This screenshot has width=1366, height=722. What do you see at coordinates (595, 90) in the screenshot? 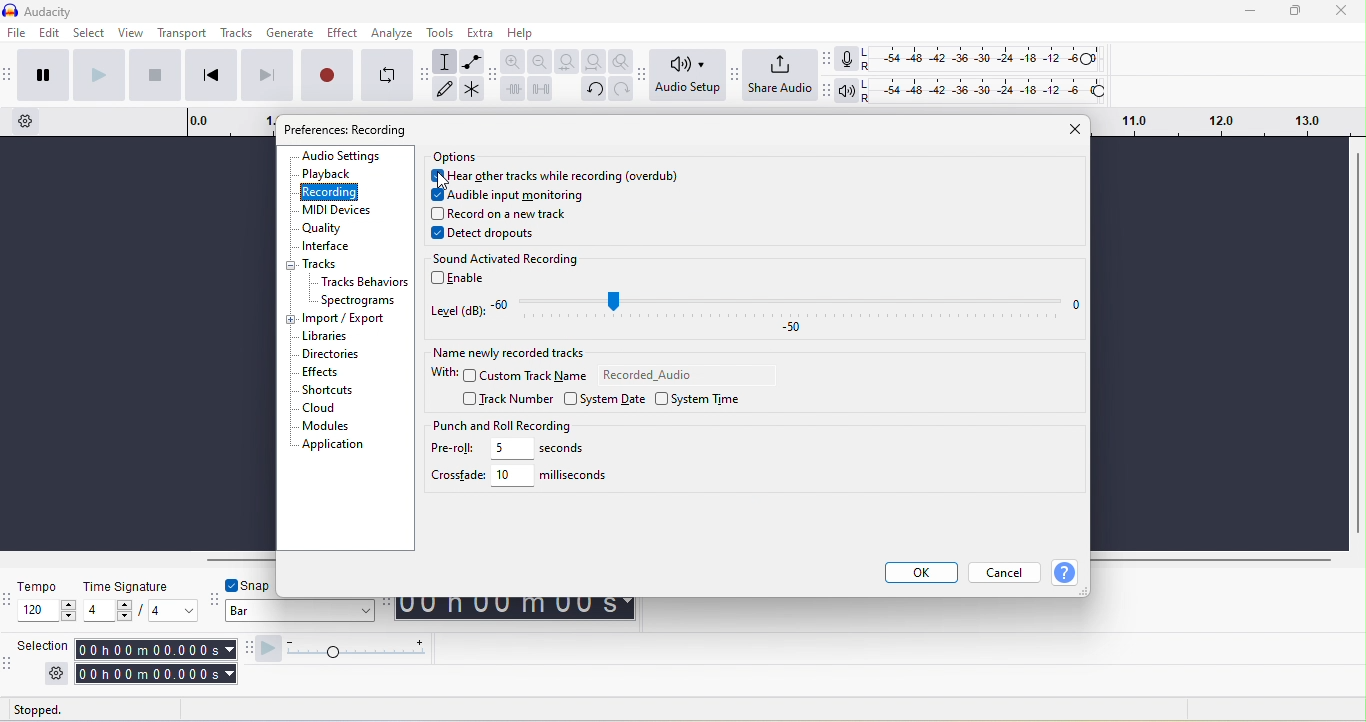
I see `undo` at bounding box center [595, 90].